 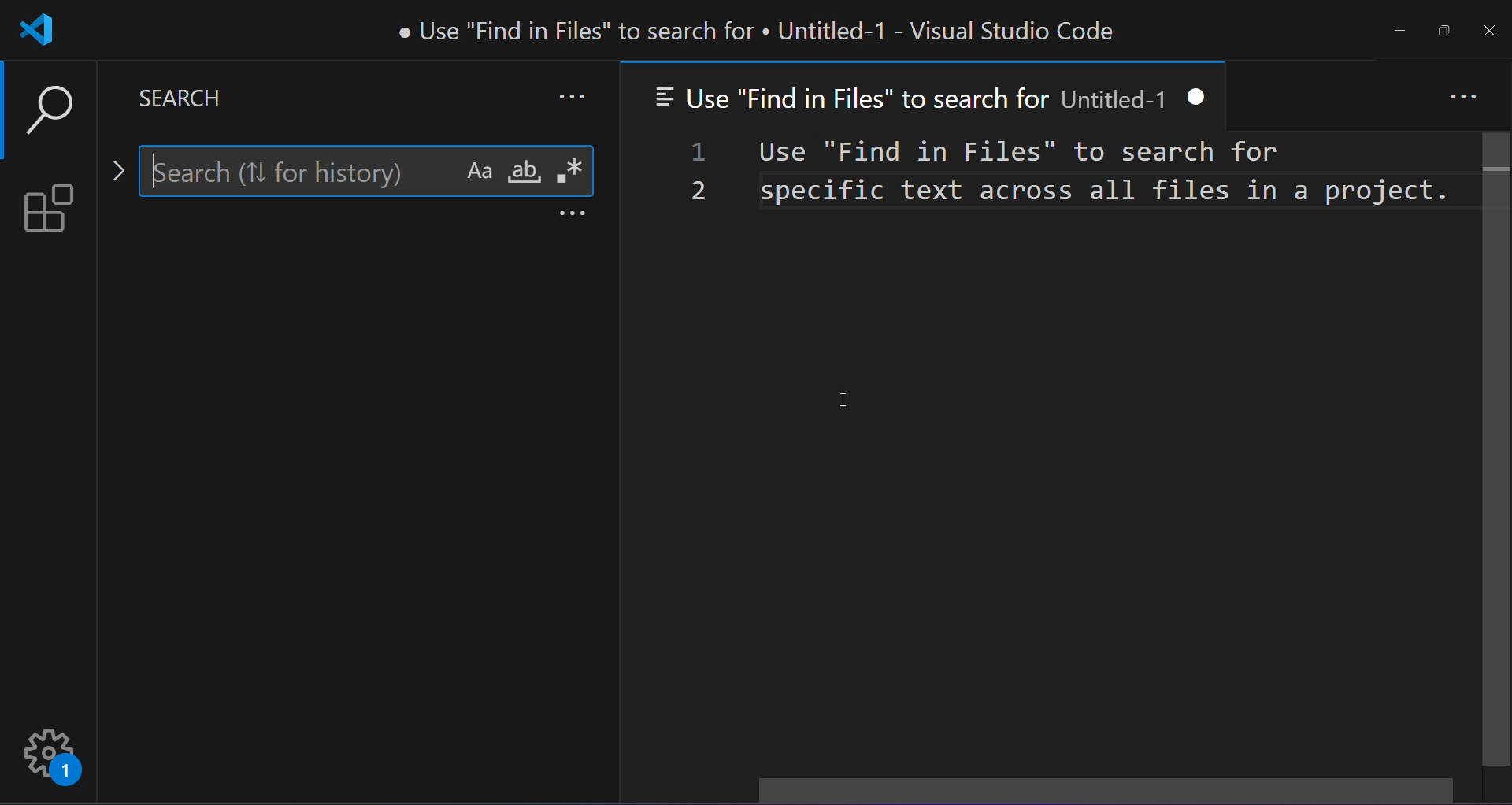 What do you see at coordinates (1489, 31) in the screenshot?
I see `close` at bounding box center [1489, 31].